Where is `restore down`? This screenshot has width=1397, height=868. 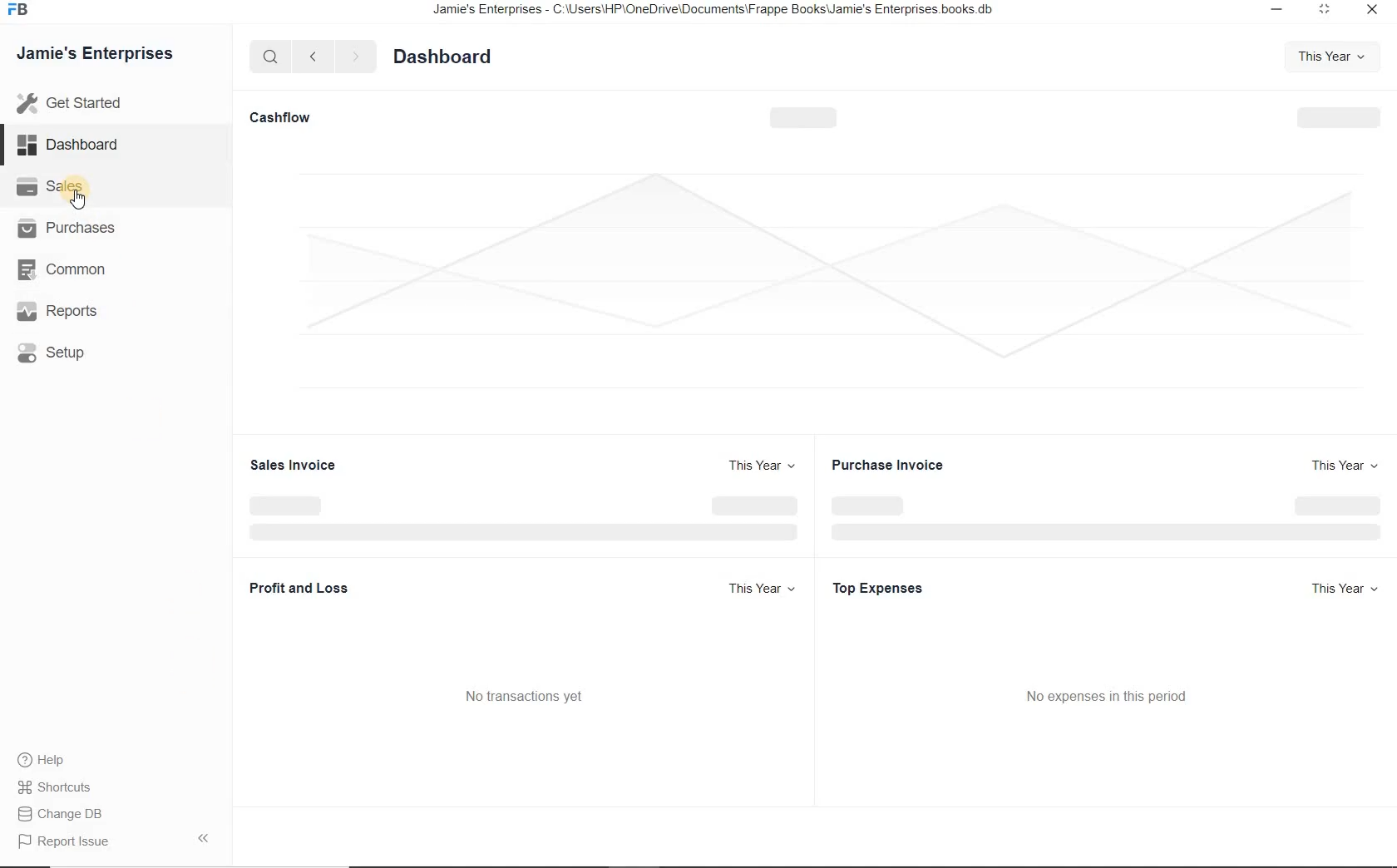
restore down is located at coordinates (1273, 11).